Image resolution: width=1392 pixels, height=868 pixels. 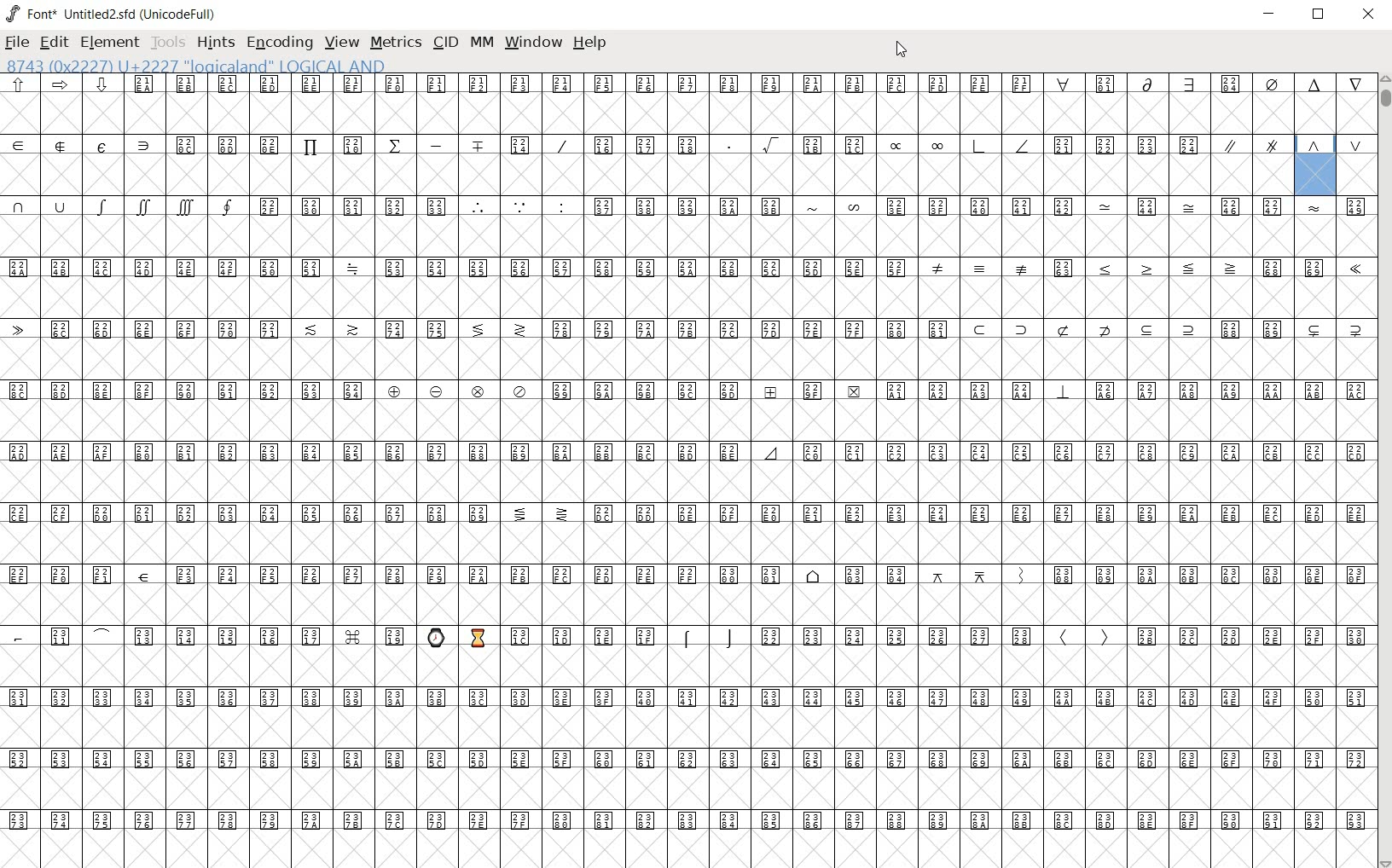 What do you see at coordinates (1315, 174) in the screenshot?
I see `8743 (0x22227) U+2227 "logicaland" LOGICAL AND` at bounding box center [1315, 174].